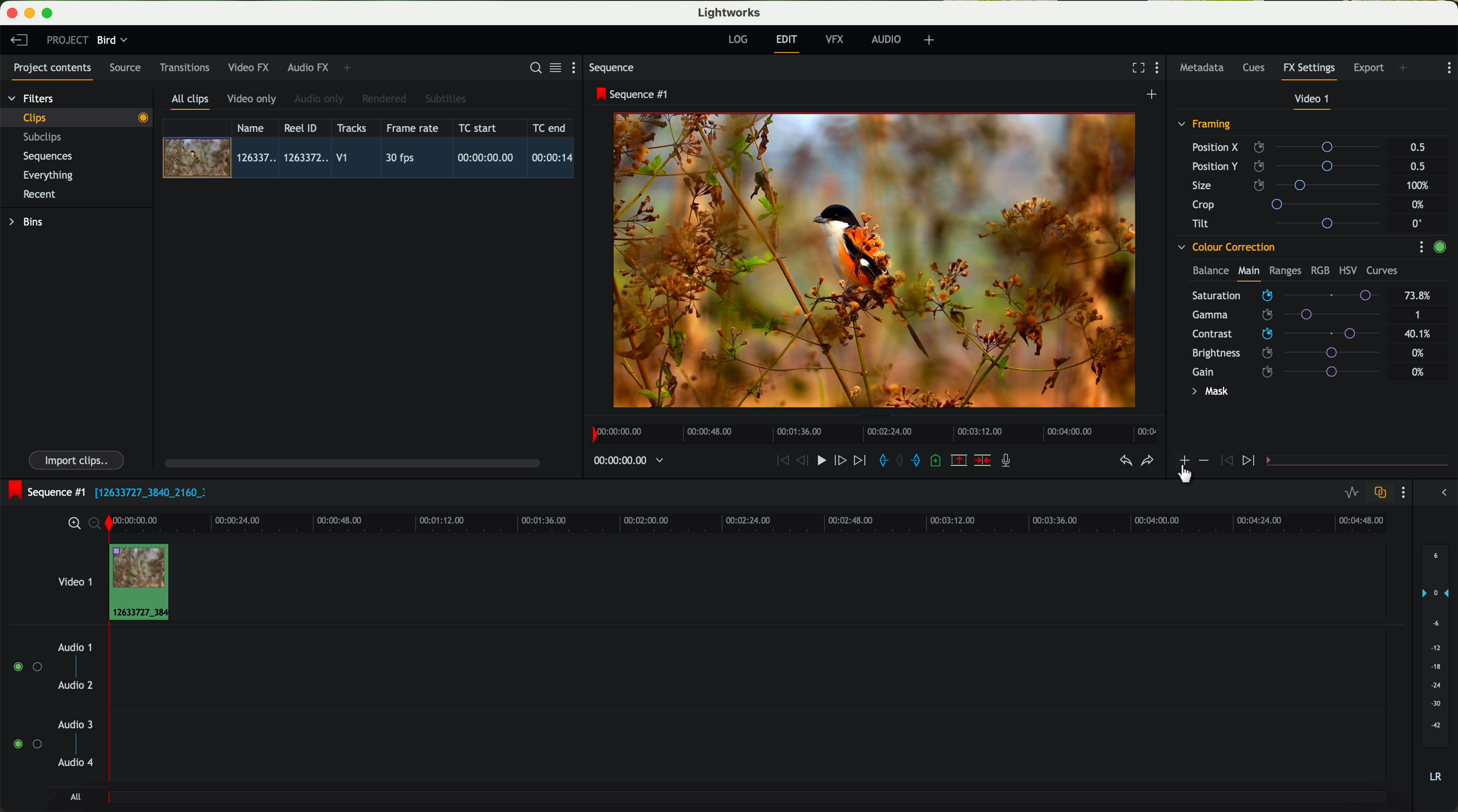 The height and width of the screenshot is (812, 1458). What do you see at coordinates (67, 40) in the screenshot?
I see `project` at bounding box center [67, 40].